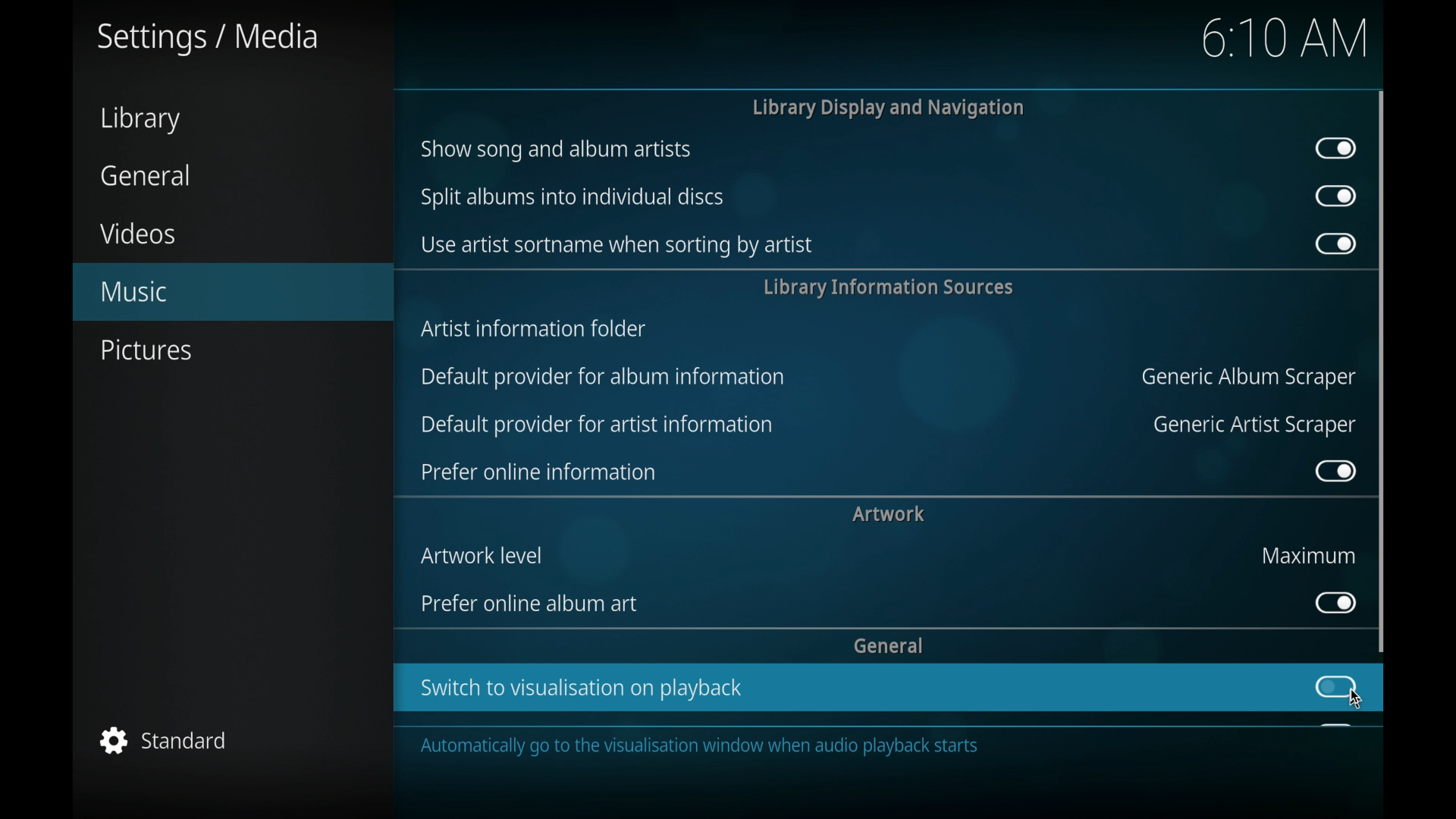 This screenshot has height=819, width=1456. What do you see at coordinates (889, 108) in the screenshot?
I see `library display` at bounding box center [889, 108].